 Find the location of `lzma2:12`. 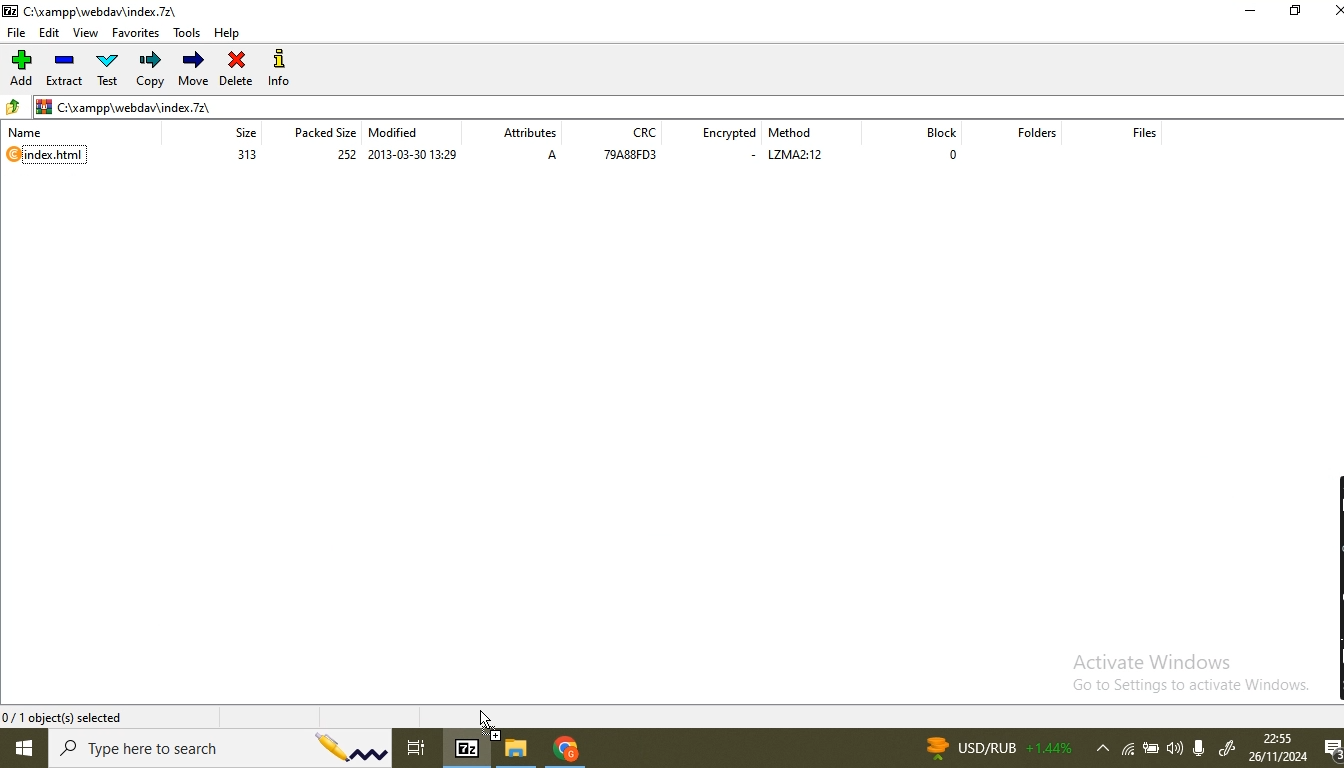

lzma2:12 is located at coordinates (807, 159).